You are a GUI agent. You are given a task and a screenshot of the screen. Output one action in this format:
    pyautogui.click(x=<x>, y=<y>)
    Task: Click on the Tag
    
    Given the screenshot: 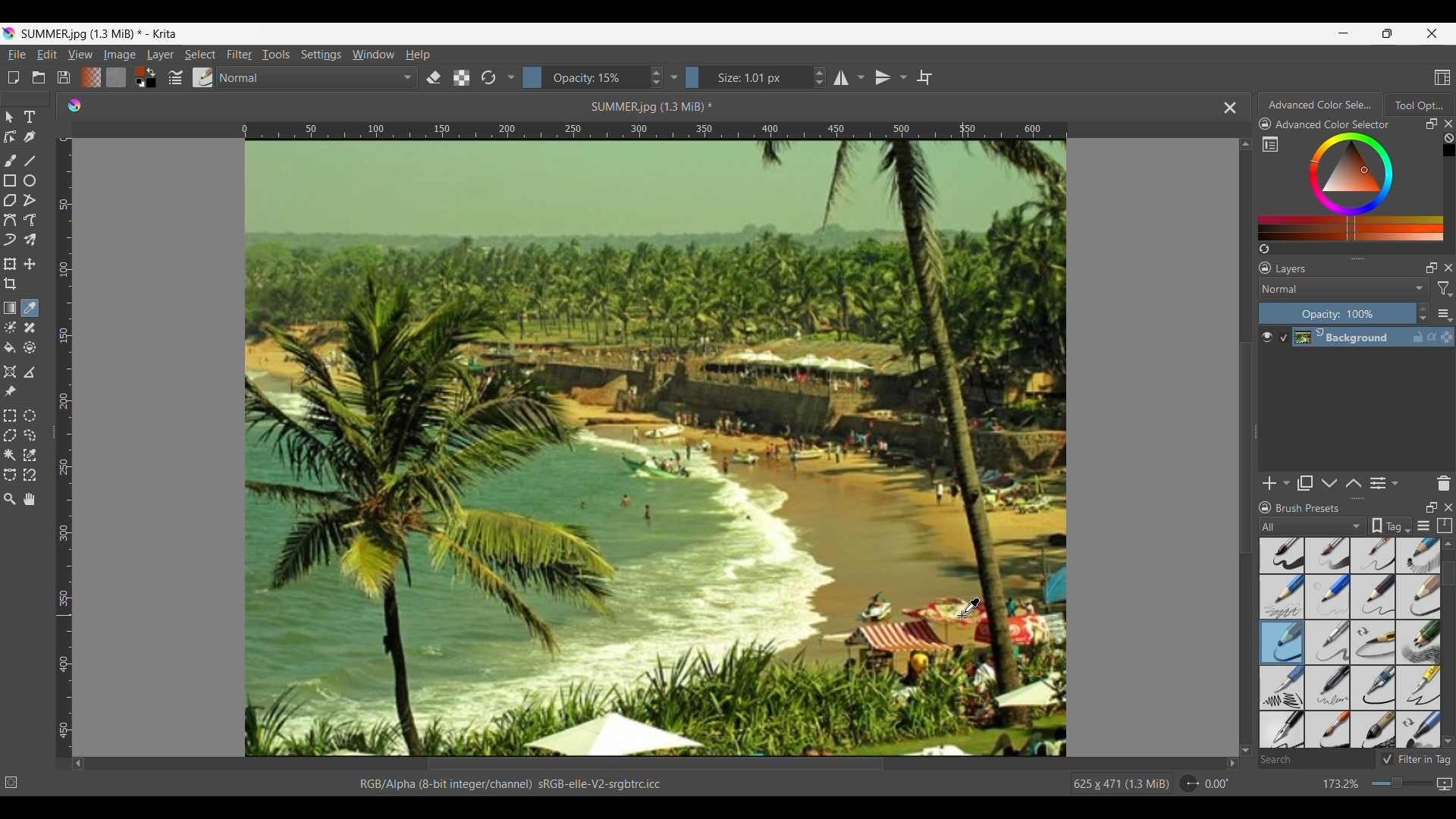 What is the action you would take?
    pyautogui.click(x=1390, y=526)
    